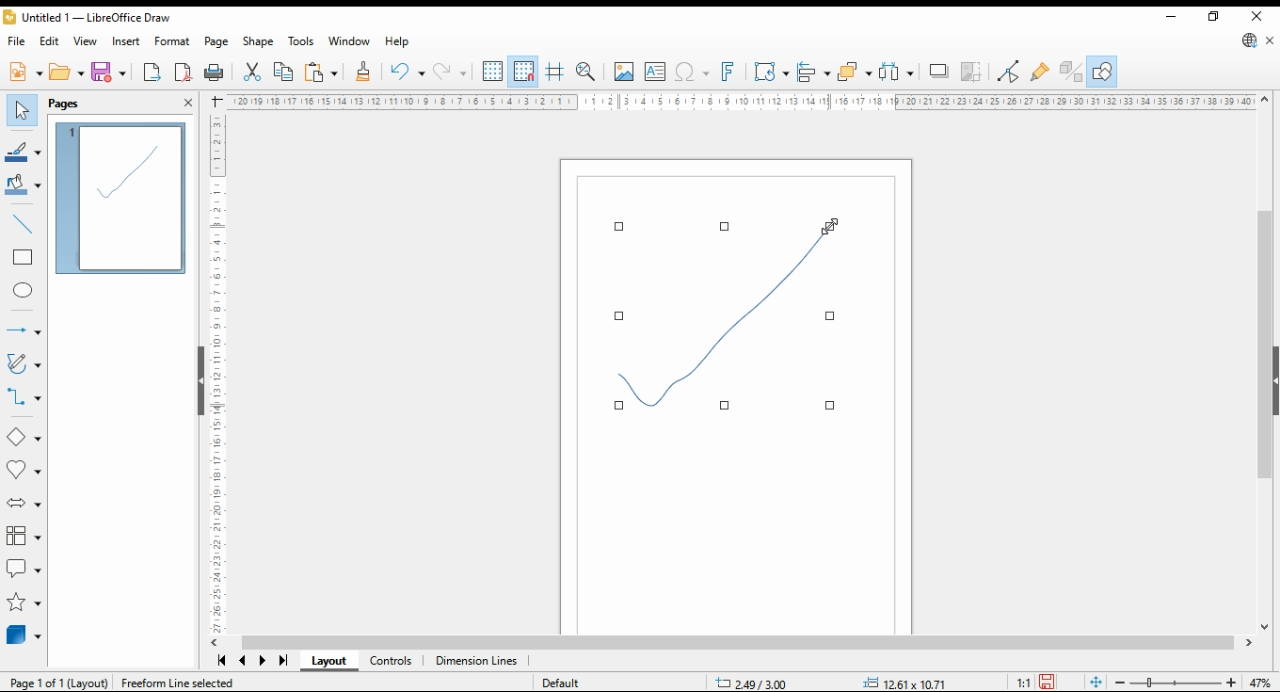  Describe the element at coordinates (365, 71) in the screenshot. I see ` clone formatting` at that location.